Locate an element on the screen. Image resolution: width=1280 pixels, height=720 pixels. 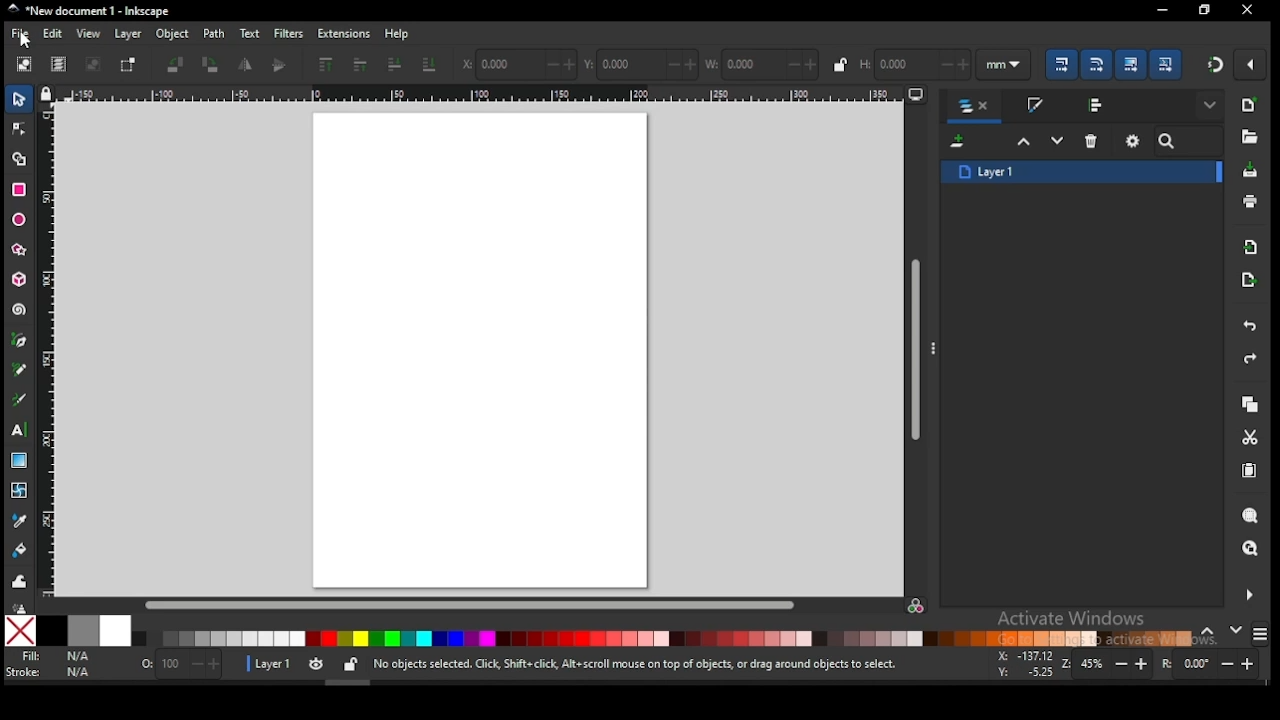
object is located at coordinates (173, 35).